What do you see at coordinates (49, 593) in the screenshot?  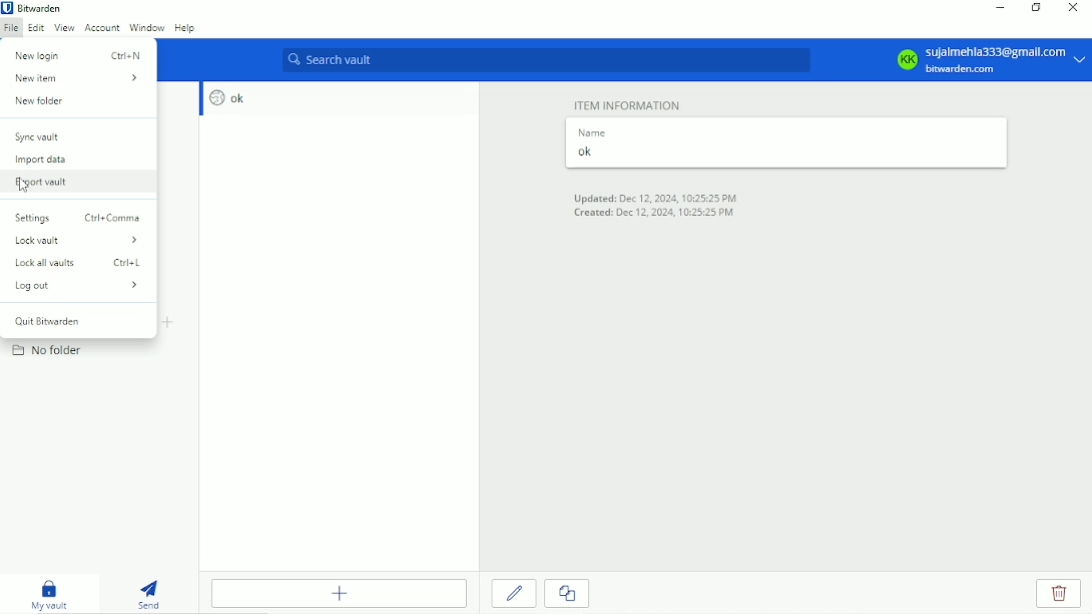 I see `My vault` at bounding box center [49, 593].